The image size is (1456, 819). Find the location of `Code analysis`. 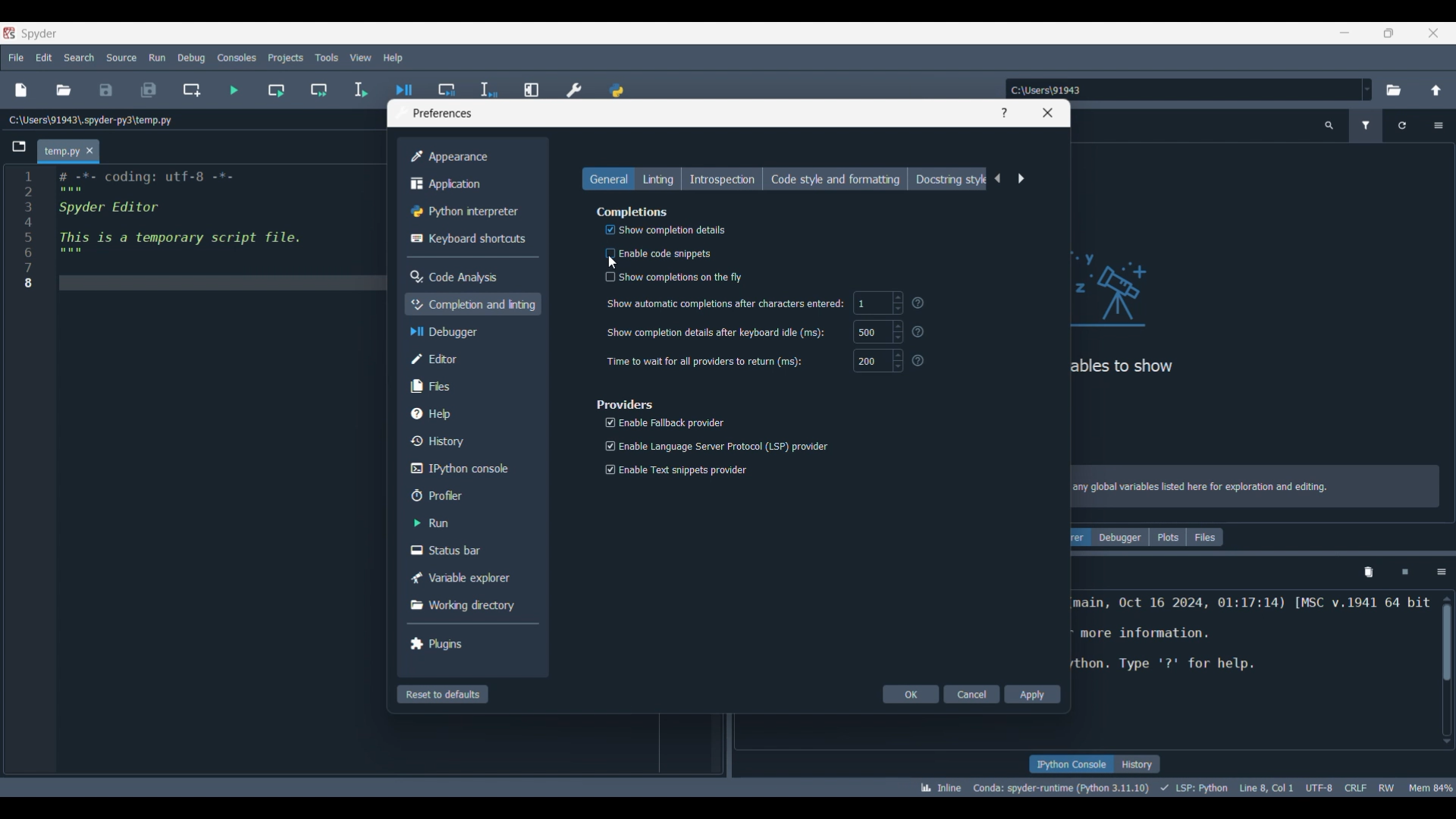

Code analysis is located at coordinates (468, 277).